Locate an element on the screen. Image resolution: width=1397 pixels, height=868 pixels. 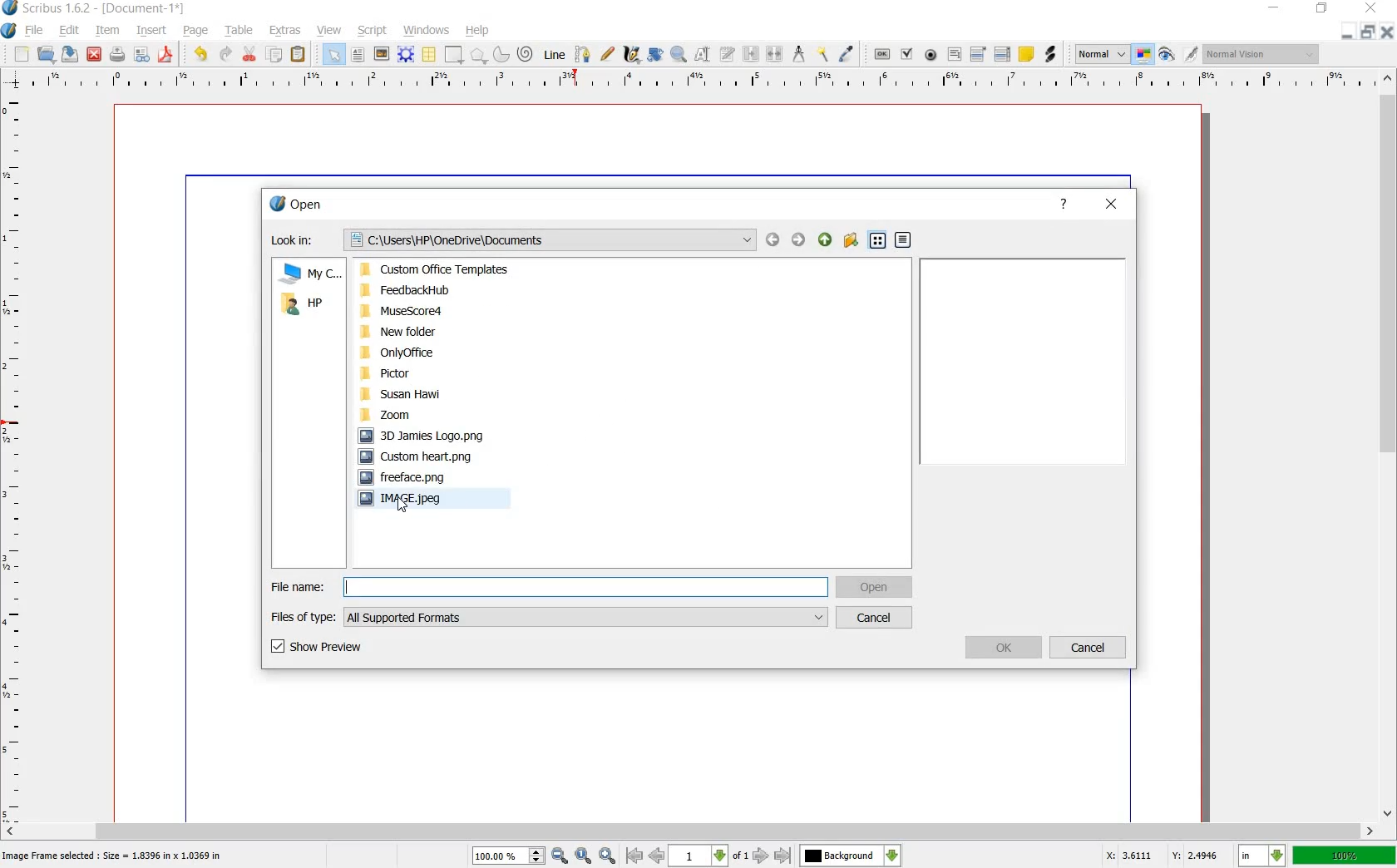
pdf text field is located at coordinates (955, 55).